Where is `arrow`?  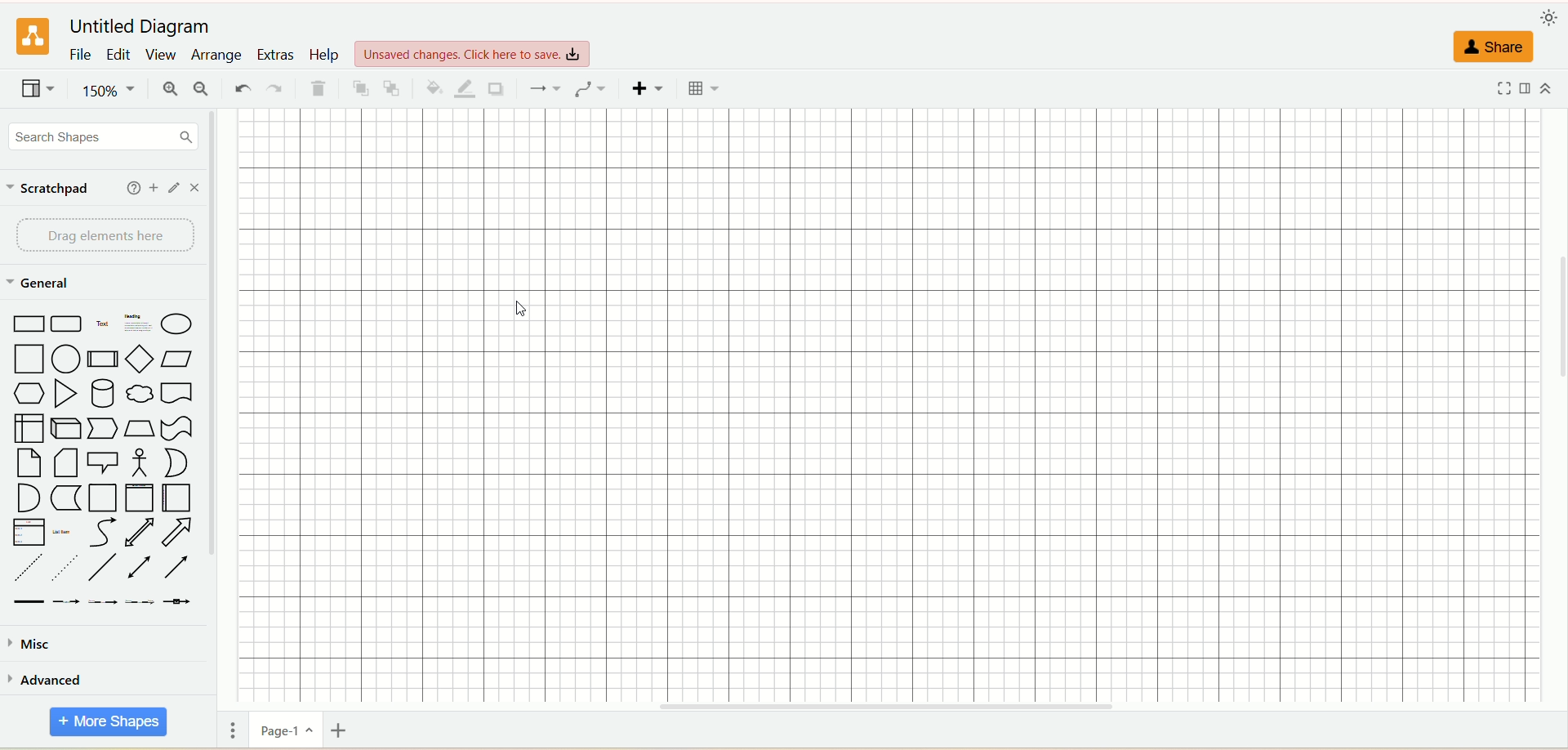 arrow is located at coordinates (178, 532).